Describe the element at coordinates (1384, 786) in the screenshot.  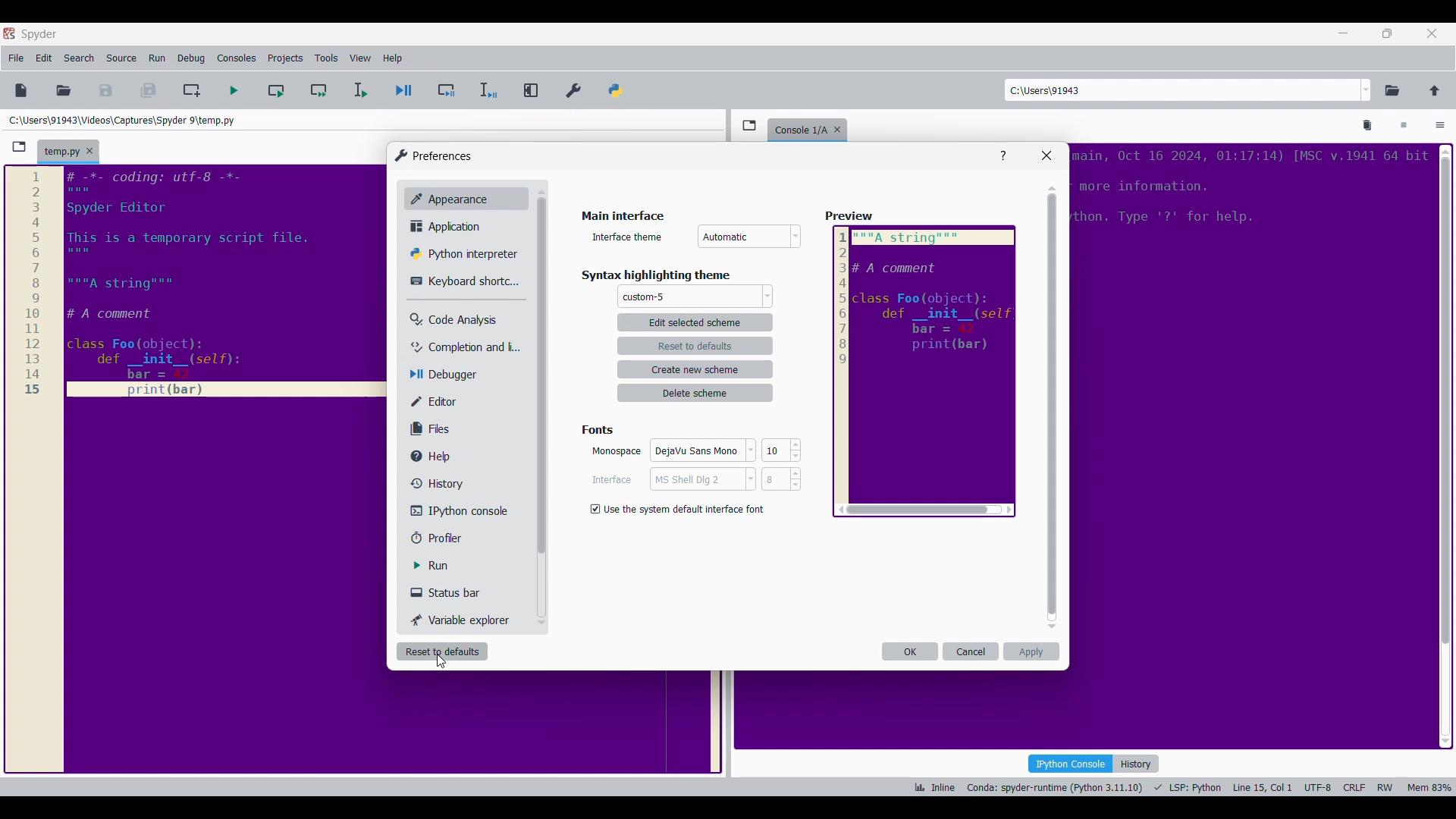
I see `RW` at that location.